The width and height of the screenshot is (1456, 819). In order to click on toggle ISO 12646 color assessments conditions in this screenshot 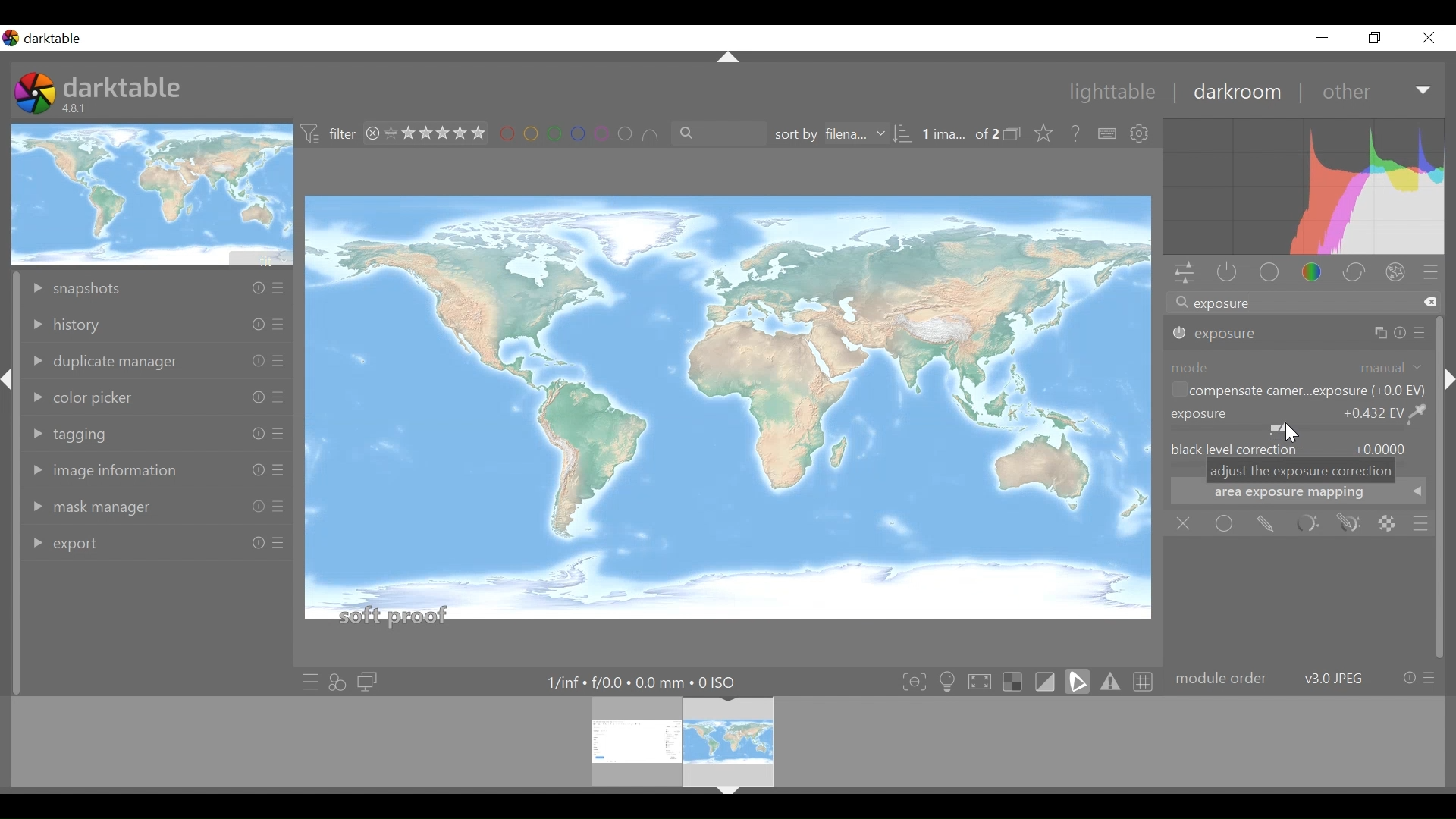, I will do `click(949, 680)`.